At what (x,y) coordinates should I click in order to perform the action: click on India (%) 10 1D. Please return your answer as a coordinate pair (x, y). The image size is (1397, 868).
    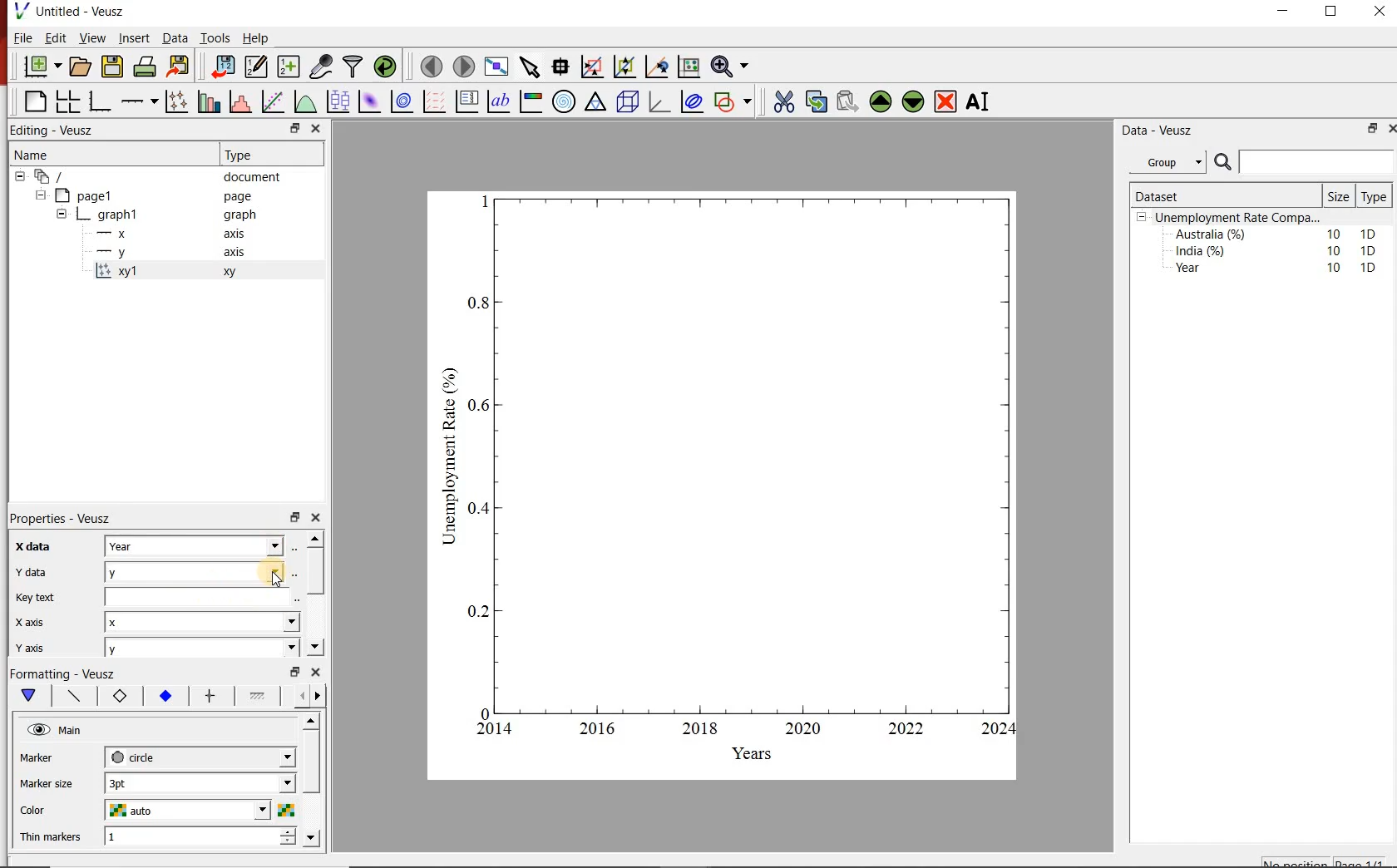
    Looking at the image, I should click on (1277, 250).